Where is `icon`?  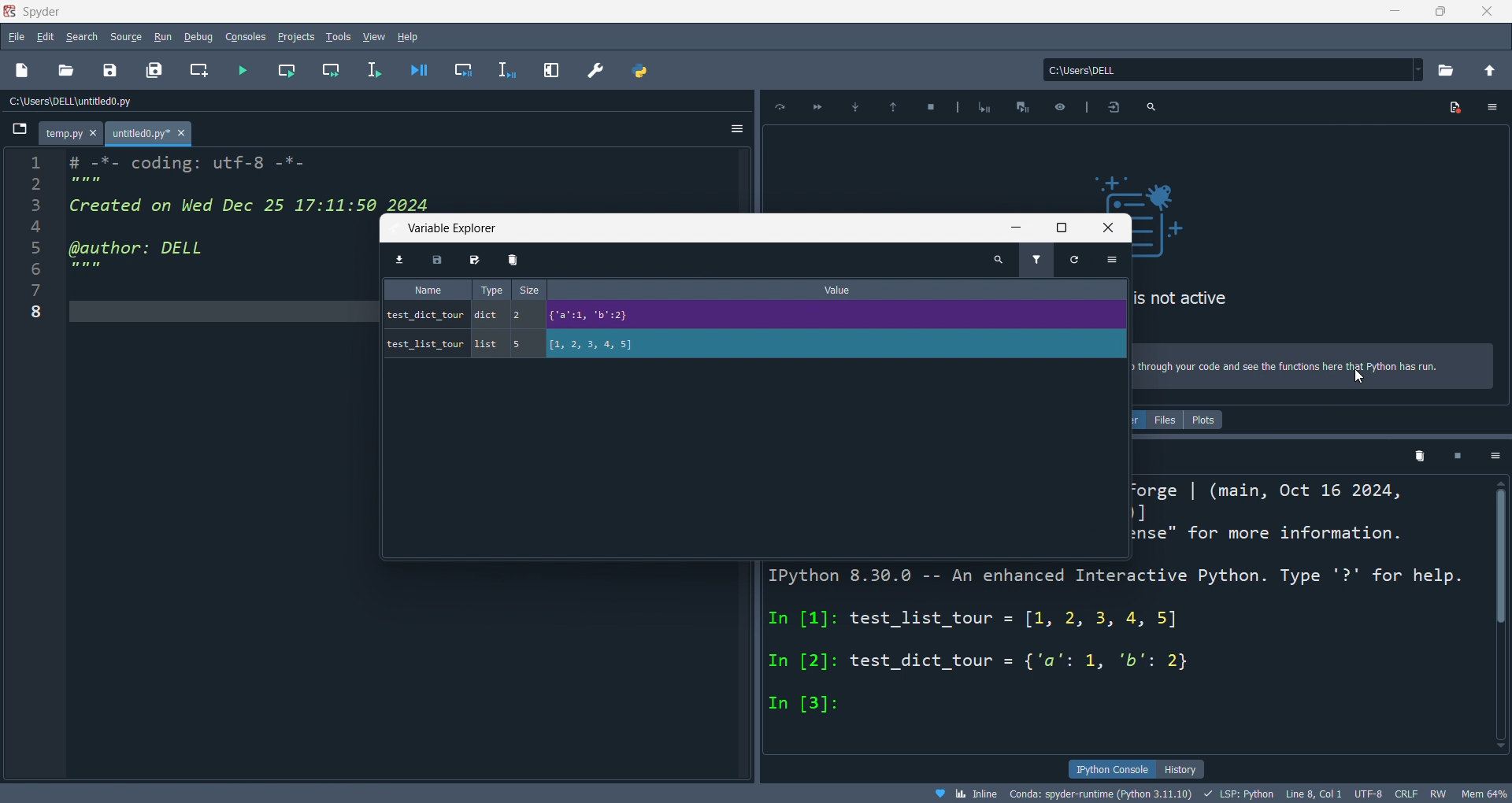
icon is located at coordinates (776, 108).